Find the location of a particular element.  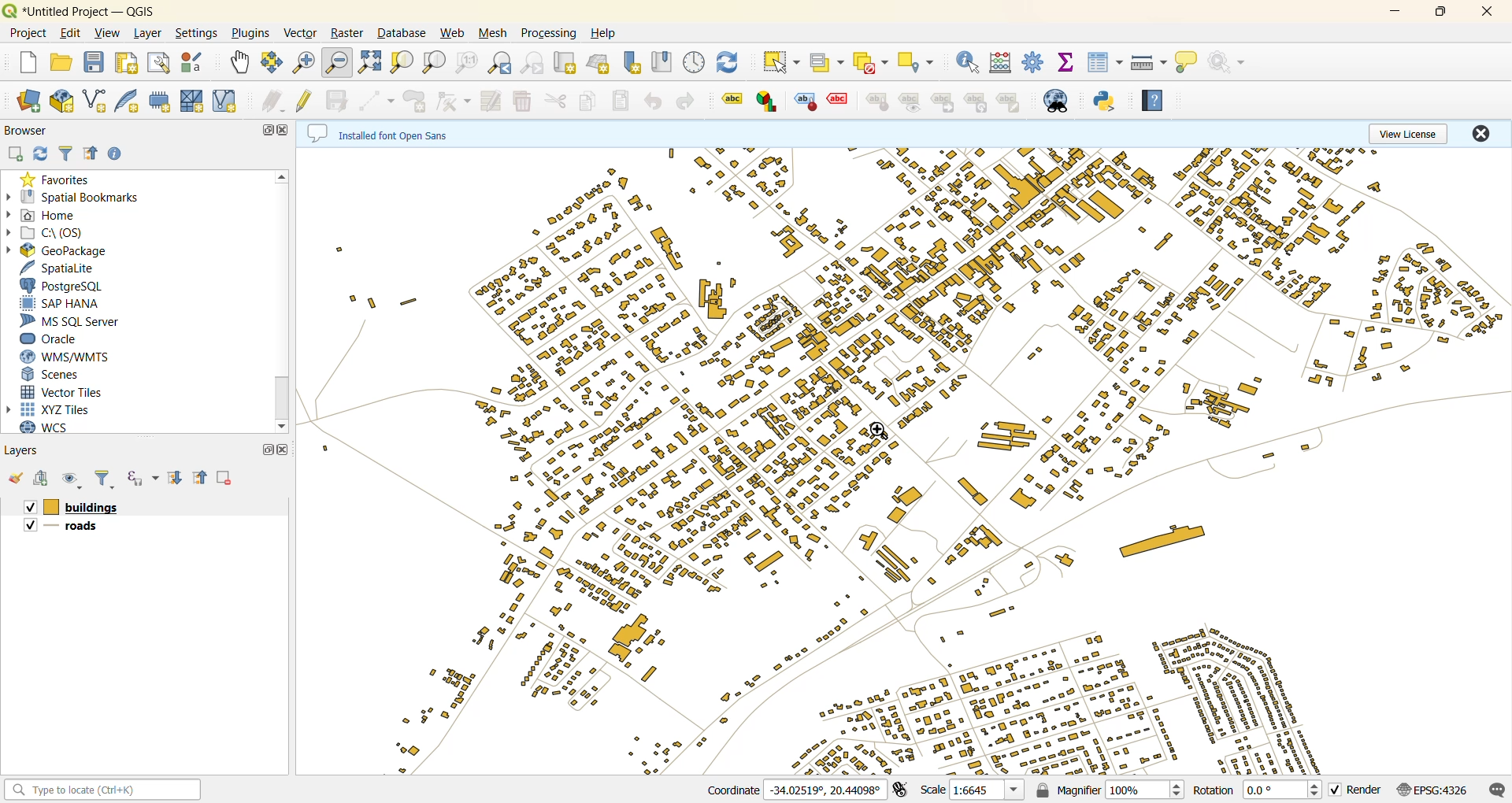

copy is located at coordinates (586, 104).